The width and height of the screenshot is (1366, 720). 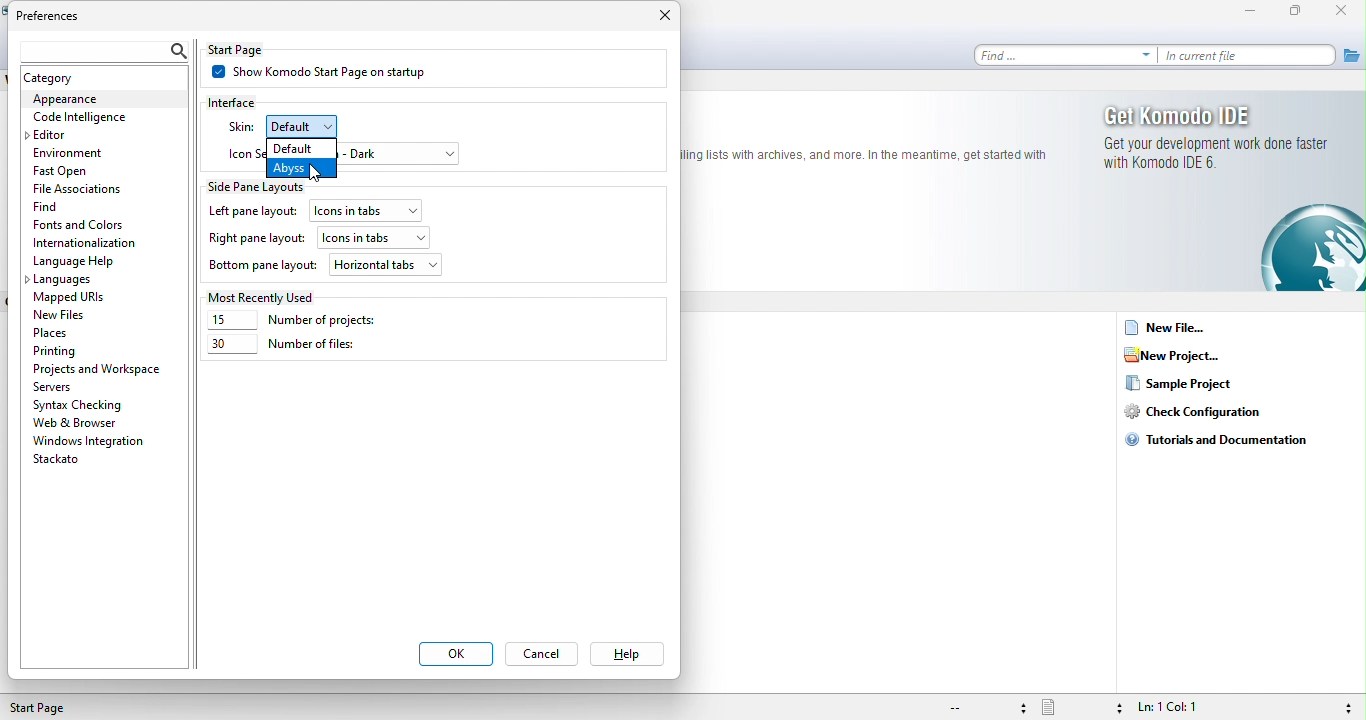 I want to click on horizontal tabs, so click(x=386, y=264).